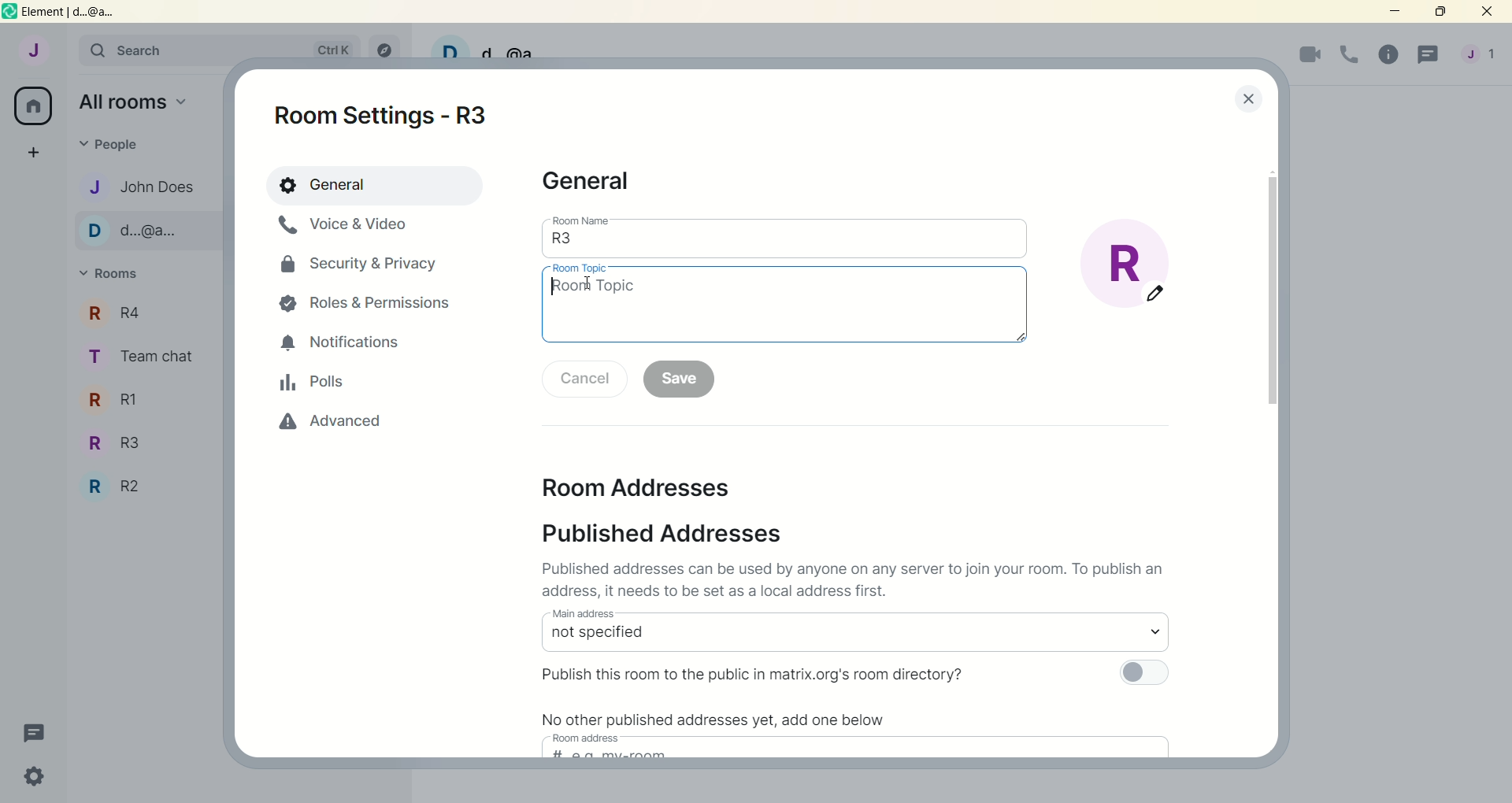 Image resolution: width=1512 pixels, height=803 pixels. I want to click on select main address, so click(849, 638).